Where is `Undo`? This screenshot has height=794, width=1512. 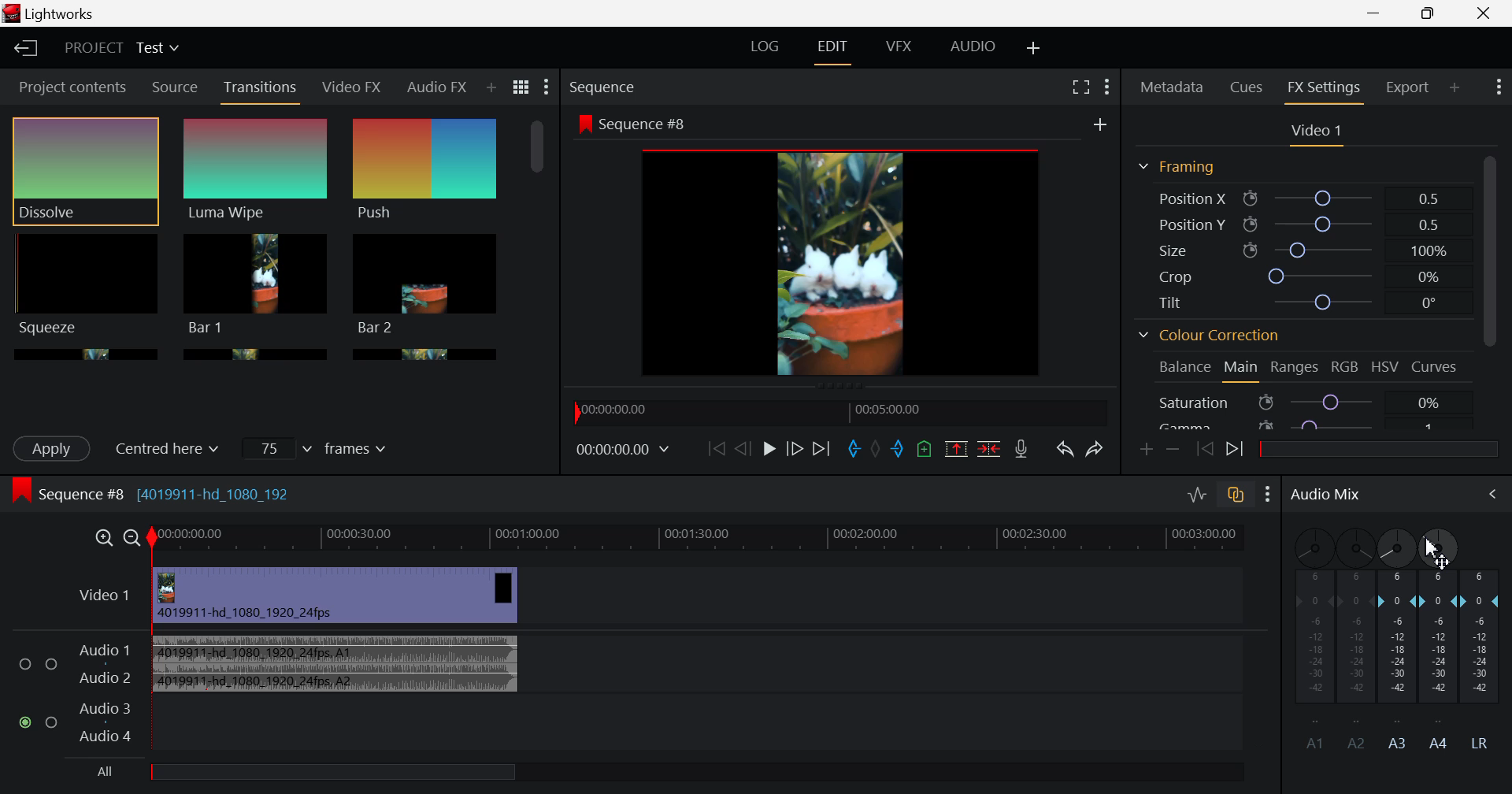 Undo is located at coordinates (1066, 451).